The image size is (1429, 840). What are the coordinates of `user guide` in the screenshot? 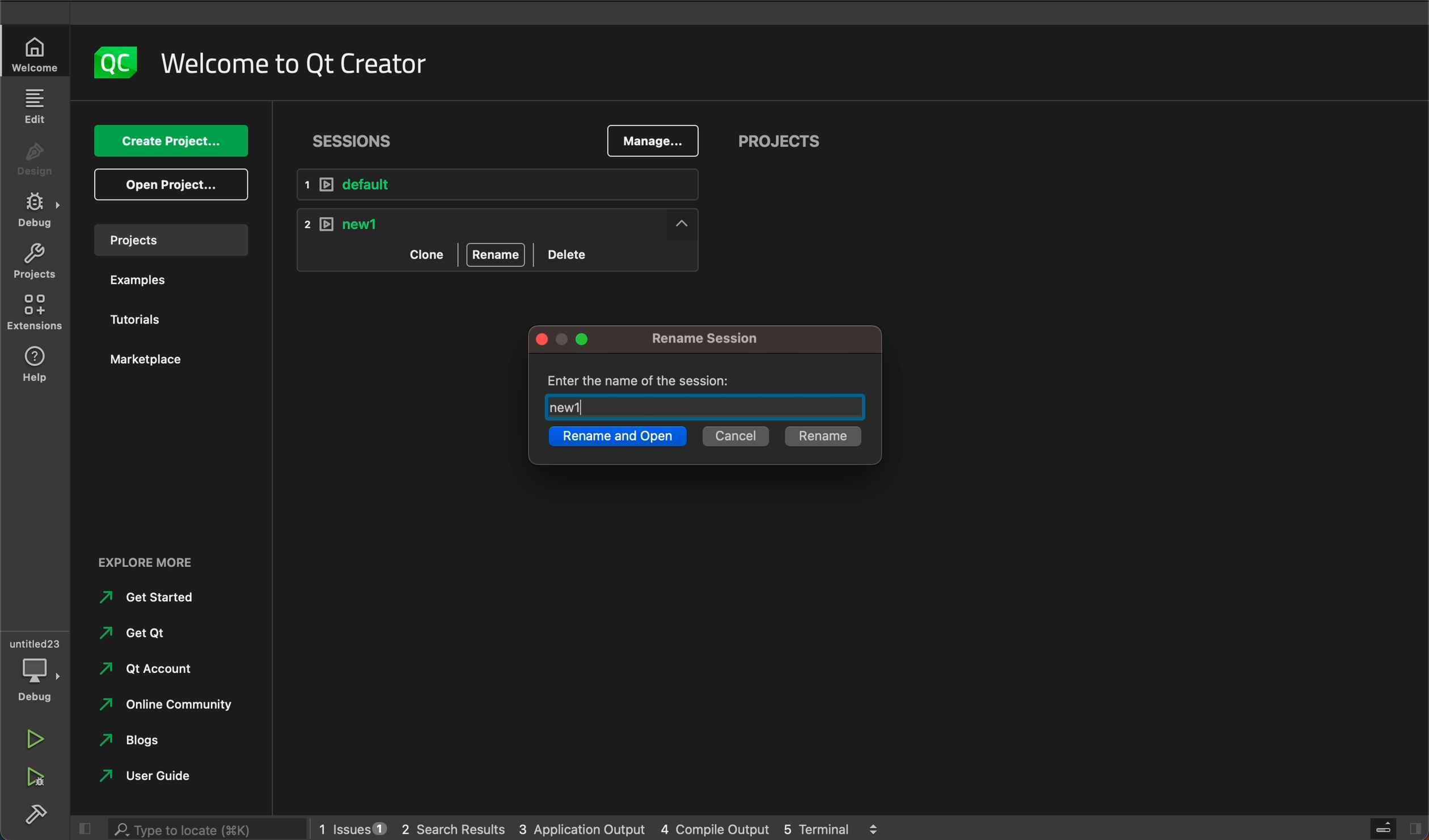 It's located at (158, 777).